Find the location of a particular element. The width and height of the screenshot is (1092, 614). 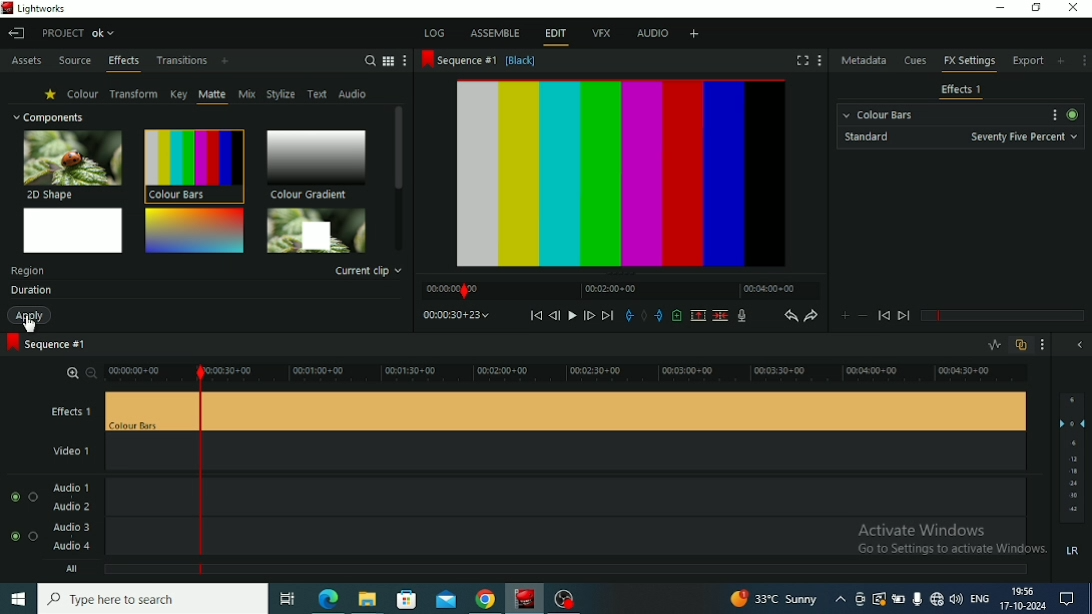

Effects is located at coordinates (124, 63).